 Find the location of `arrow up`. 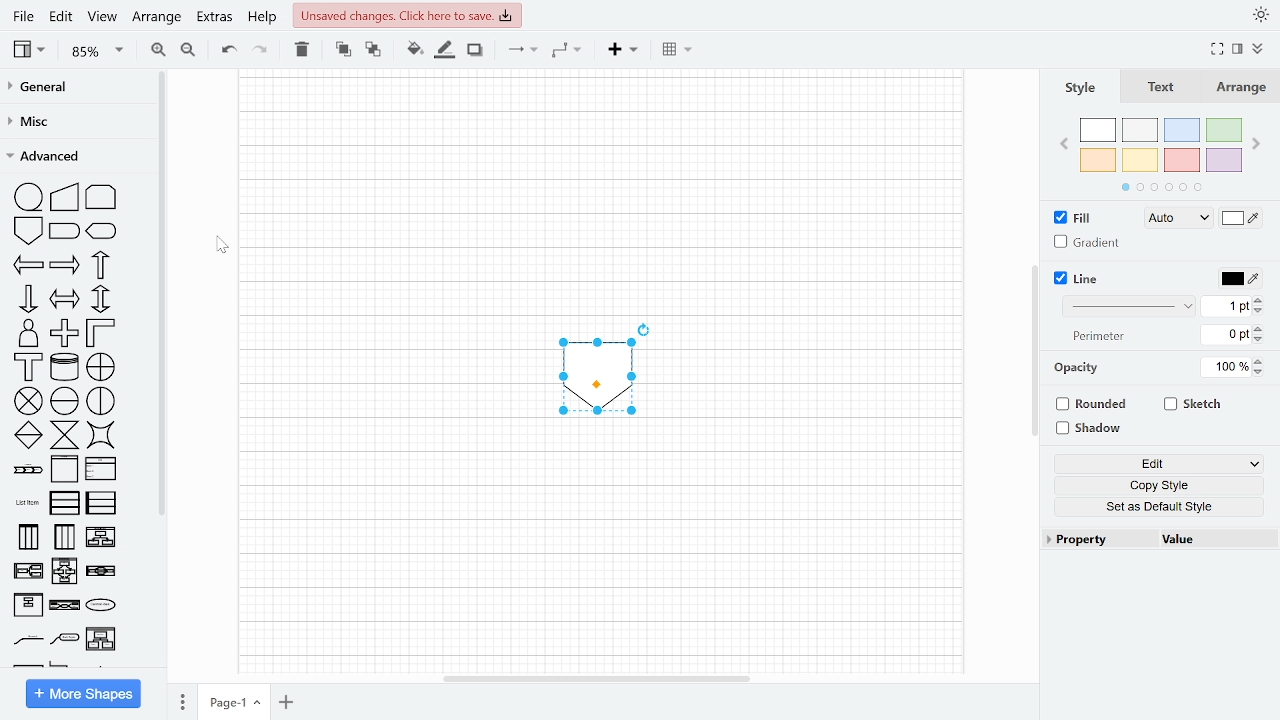

arrow up is located at coordinates (98, 265).